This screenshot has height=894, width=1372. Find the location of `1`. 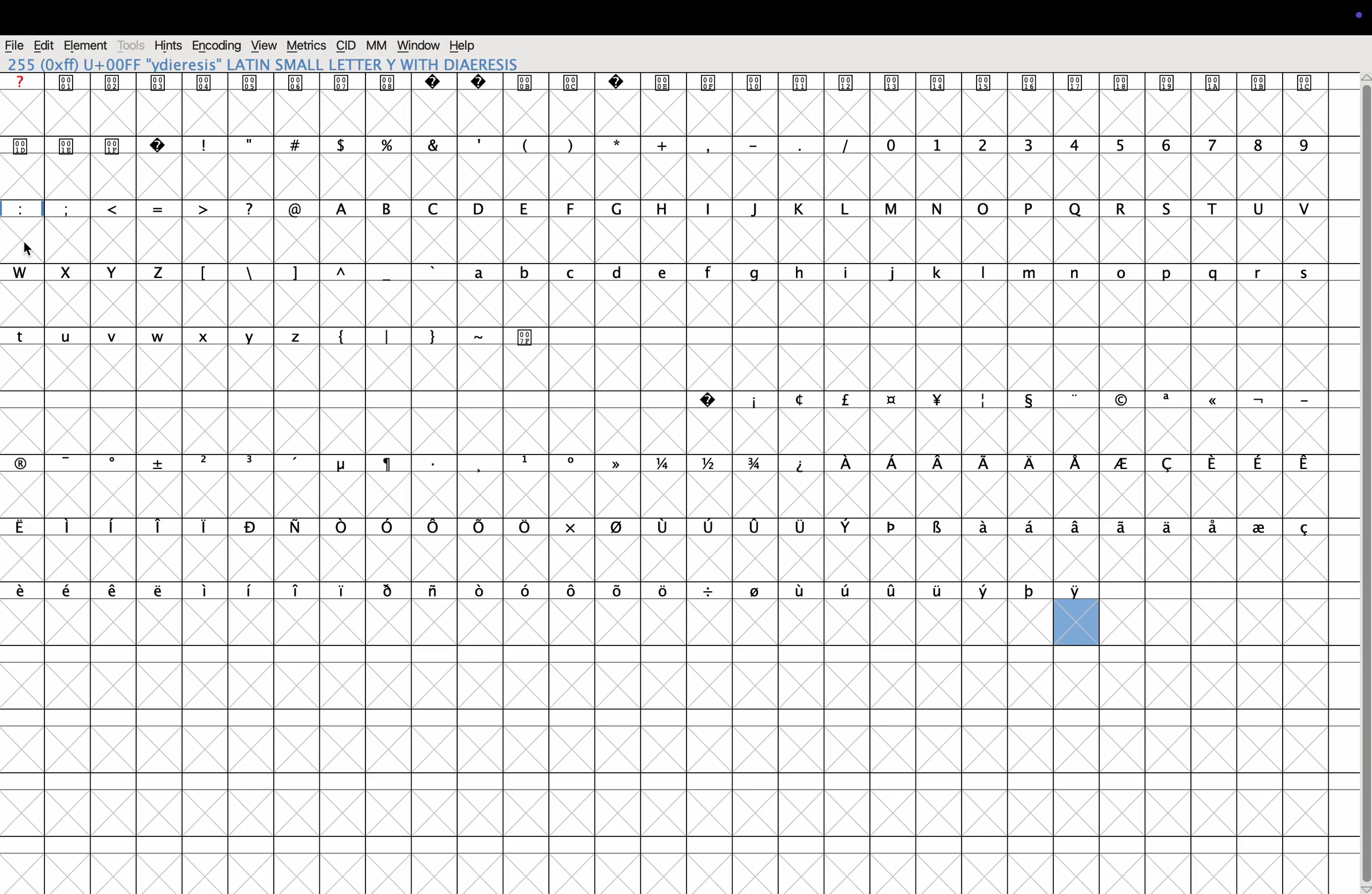

1 is located at coordinates (938, 164).